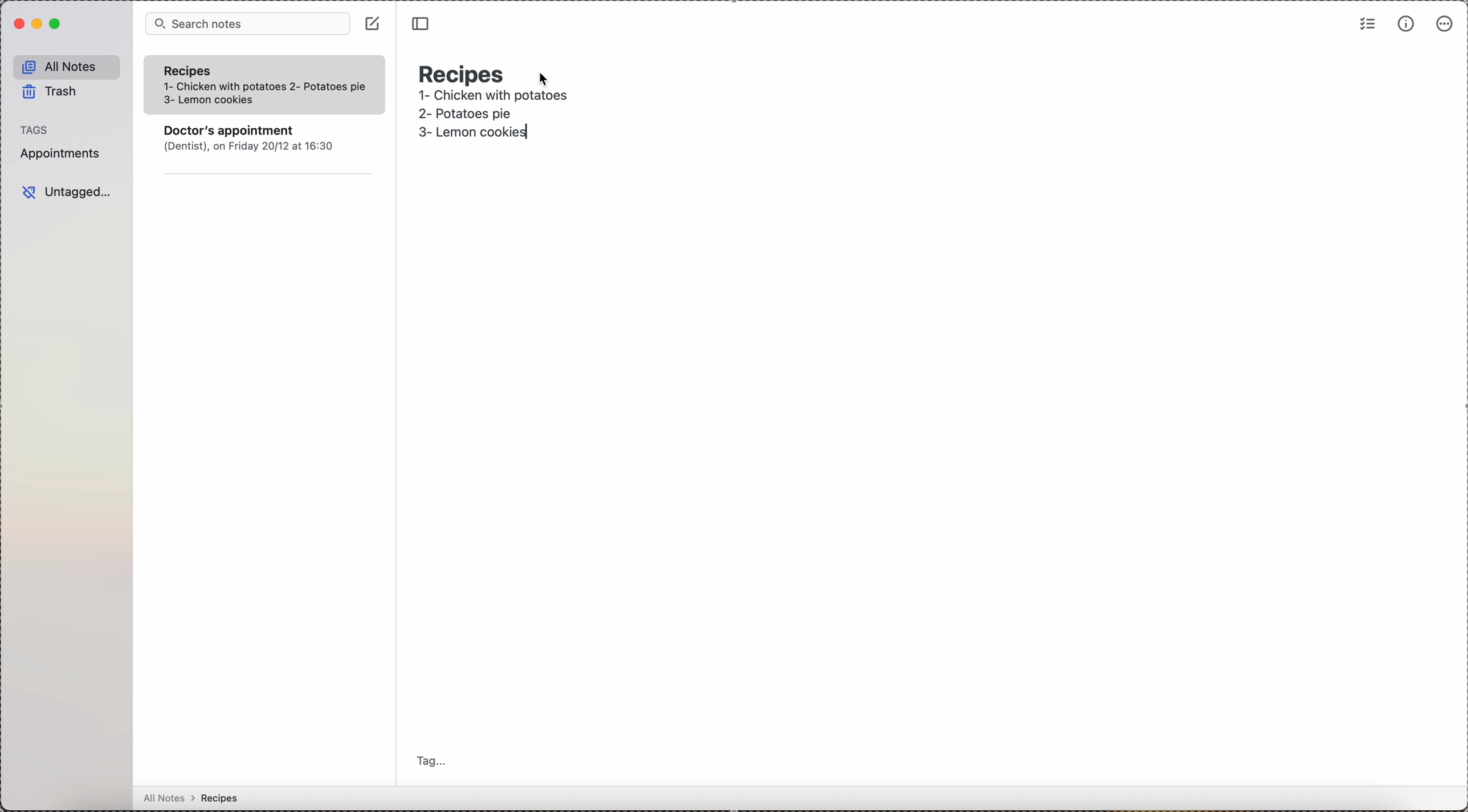 The image size is (1468, 812). What do you see at coordinates (247, 24) in the screenshot?
I see `search bar` at bounding box center [247, 24].